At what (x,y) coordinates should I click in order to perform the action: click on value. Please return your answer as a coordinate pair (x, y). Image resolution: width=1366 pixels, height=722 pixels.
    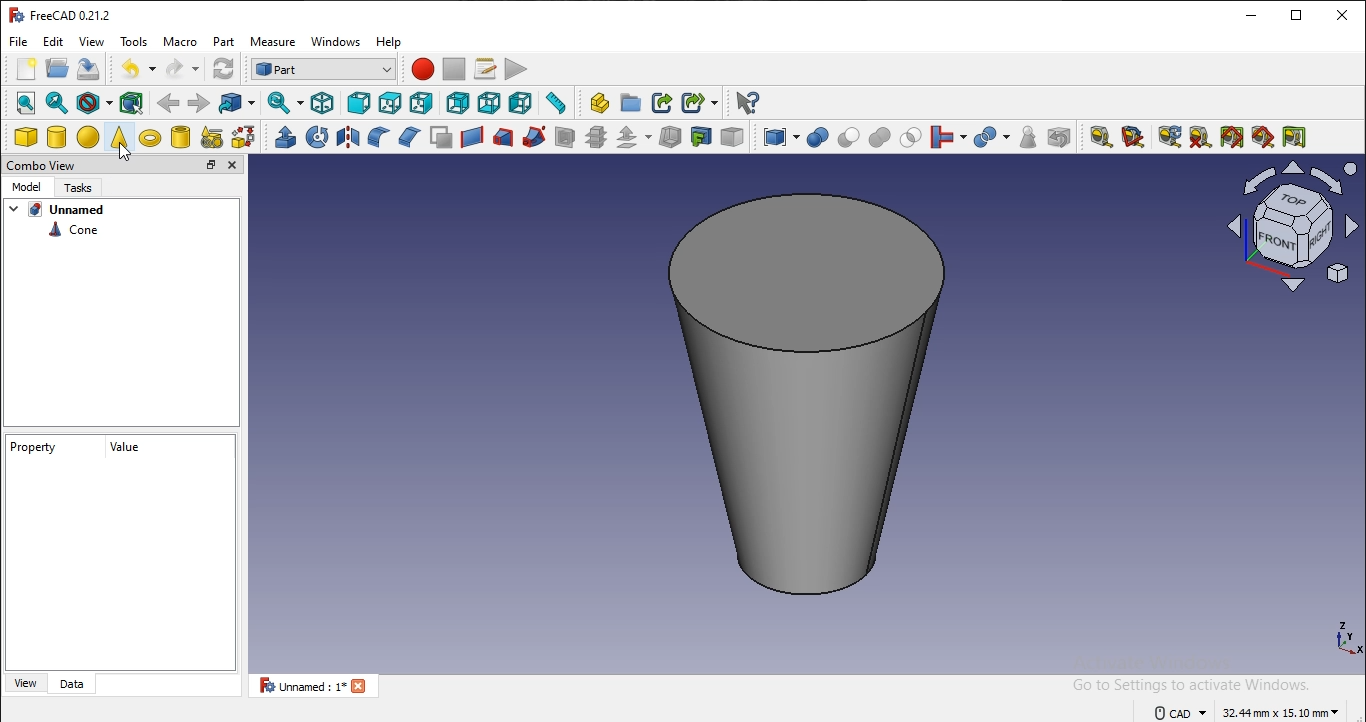
    Looking at the image, I should click on (130, 445).